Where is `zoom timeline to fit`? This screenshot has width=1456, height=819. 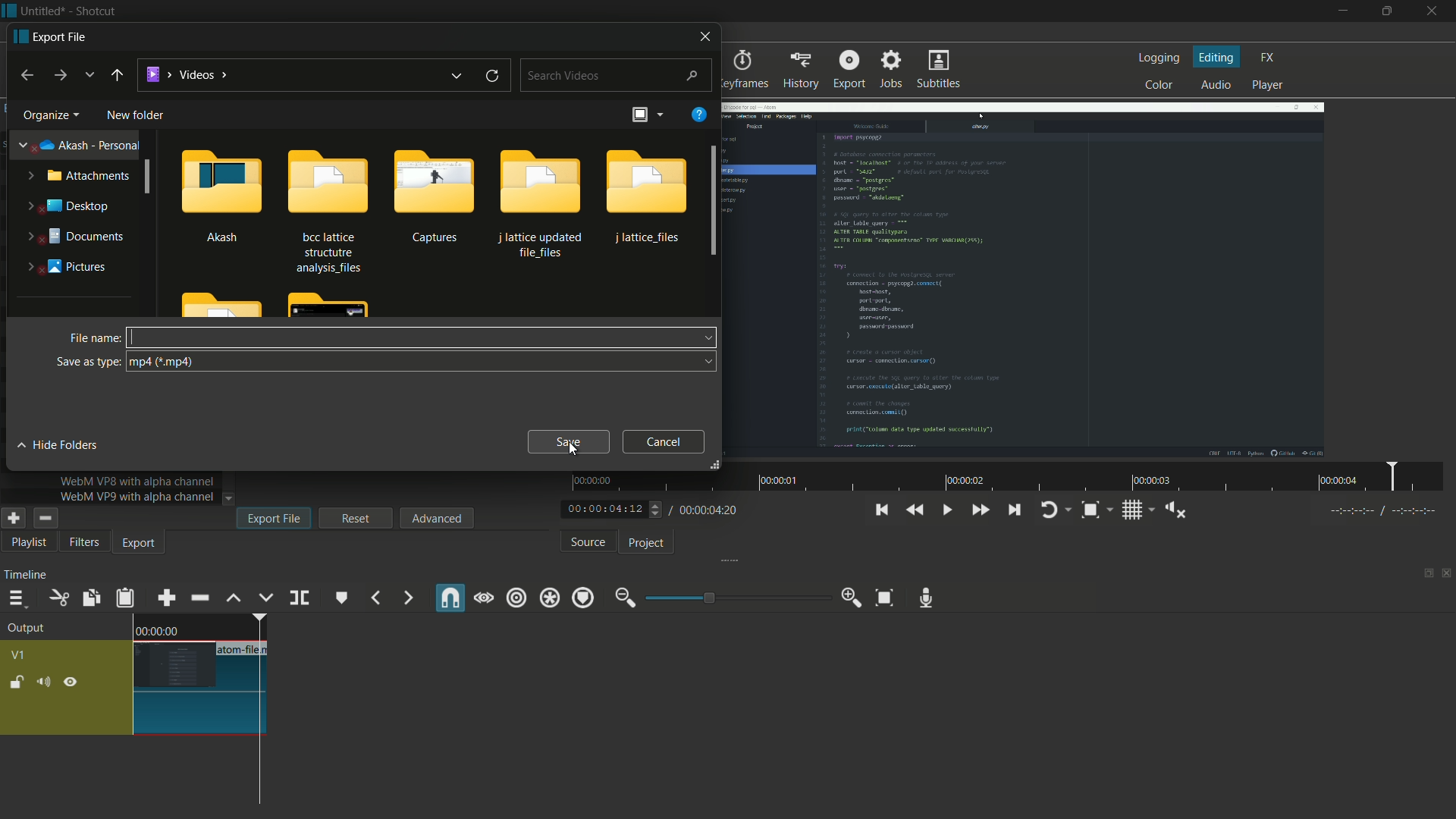
zoom timeline to fit is located at coordinates (882, 596).